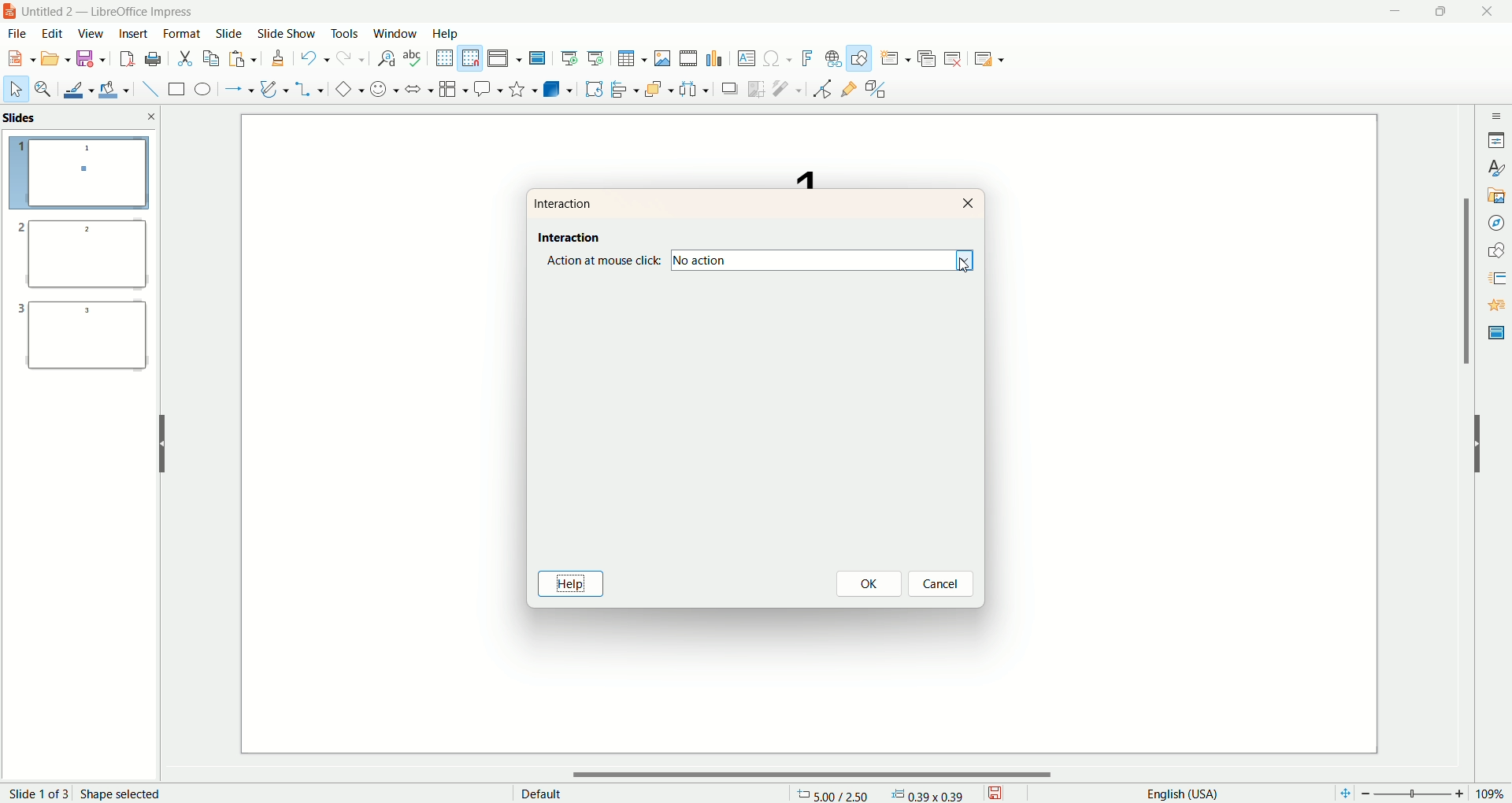 The image size is (1512, 803). I want to click on interaction, so click(565, 204).